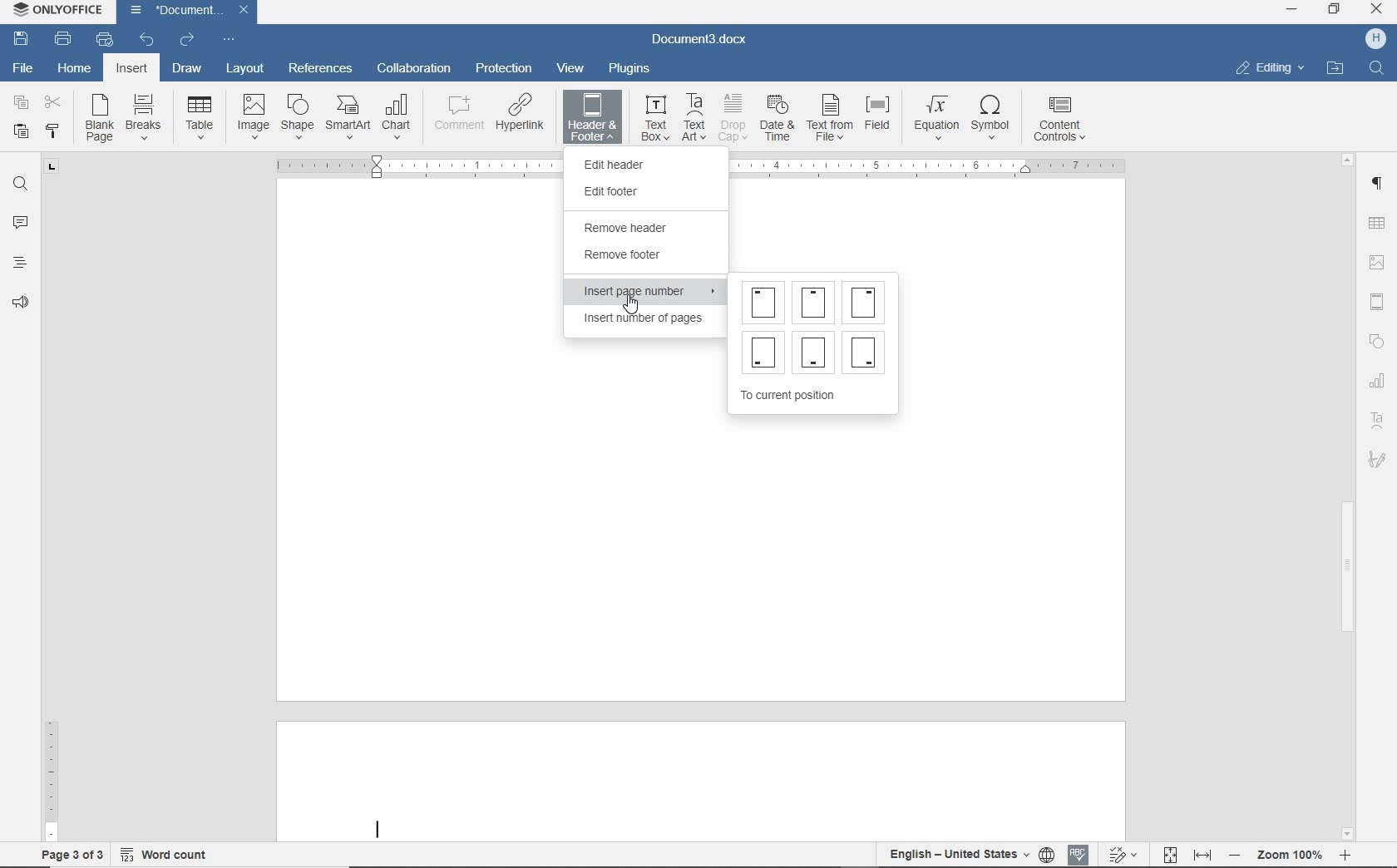  I want to click on HEADER & FOOTER, so click(592, 118).